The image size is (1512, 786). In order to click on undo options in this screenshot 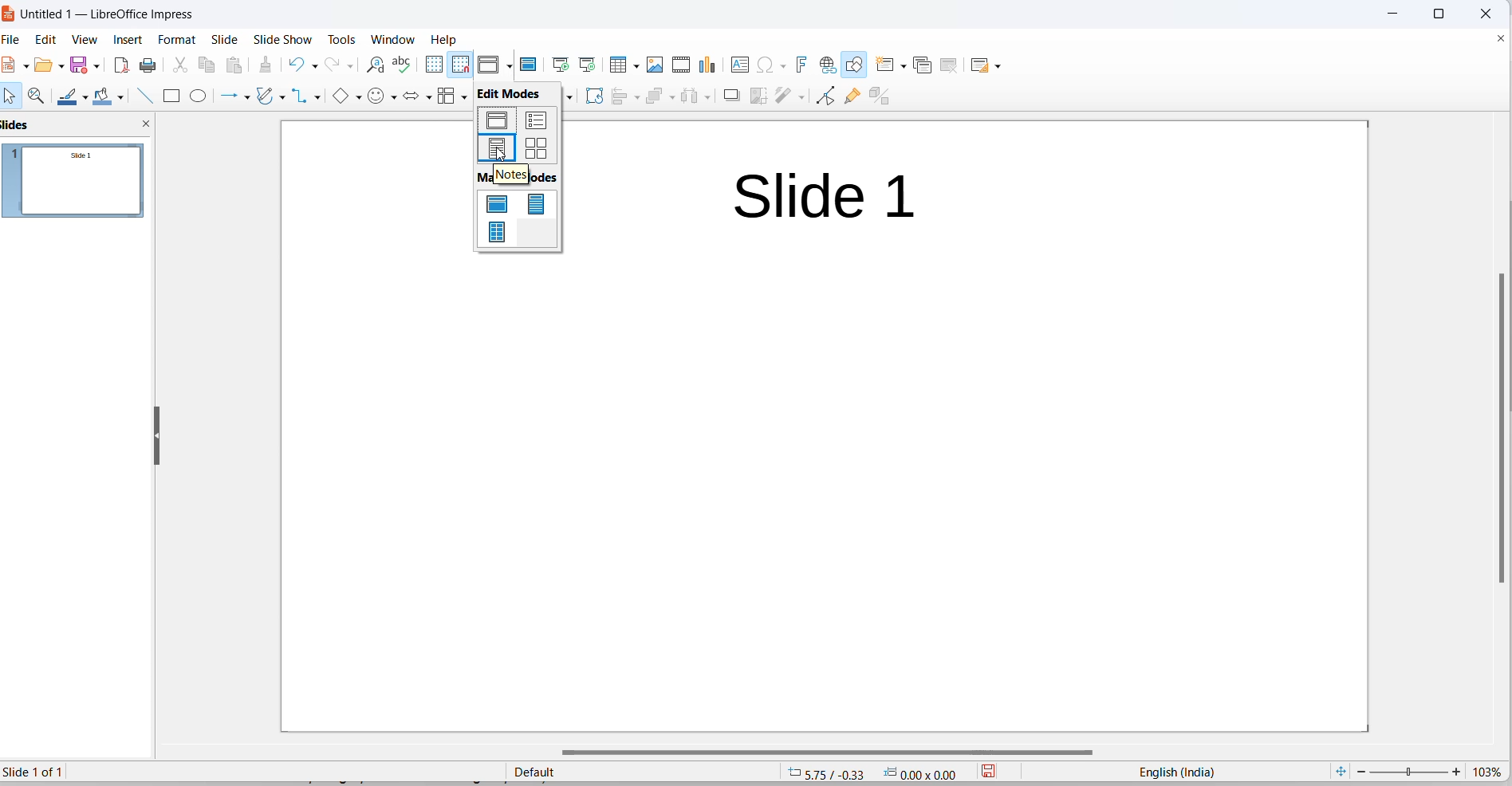, I will do `click(314, 65)`.